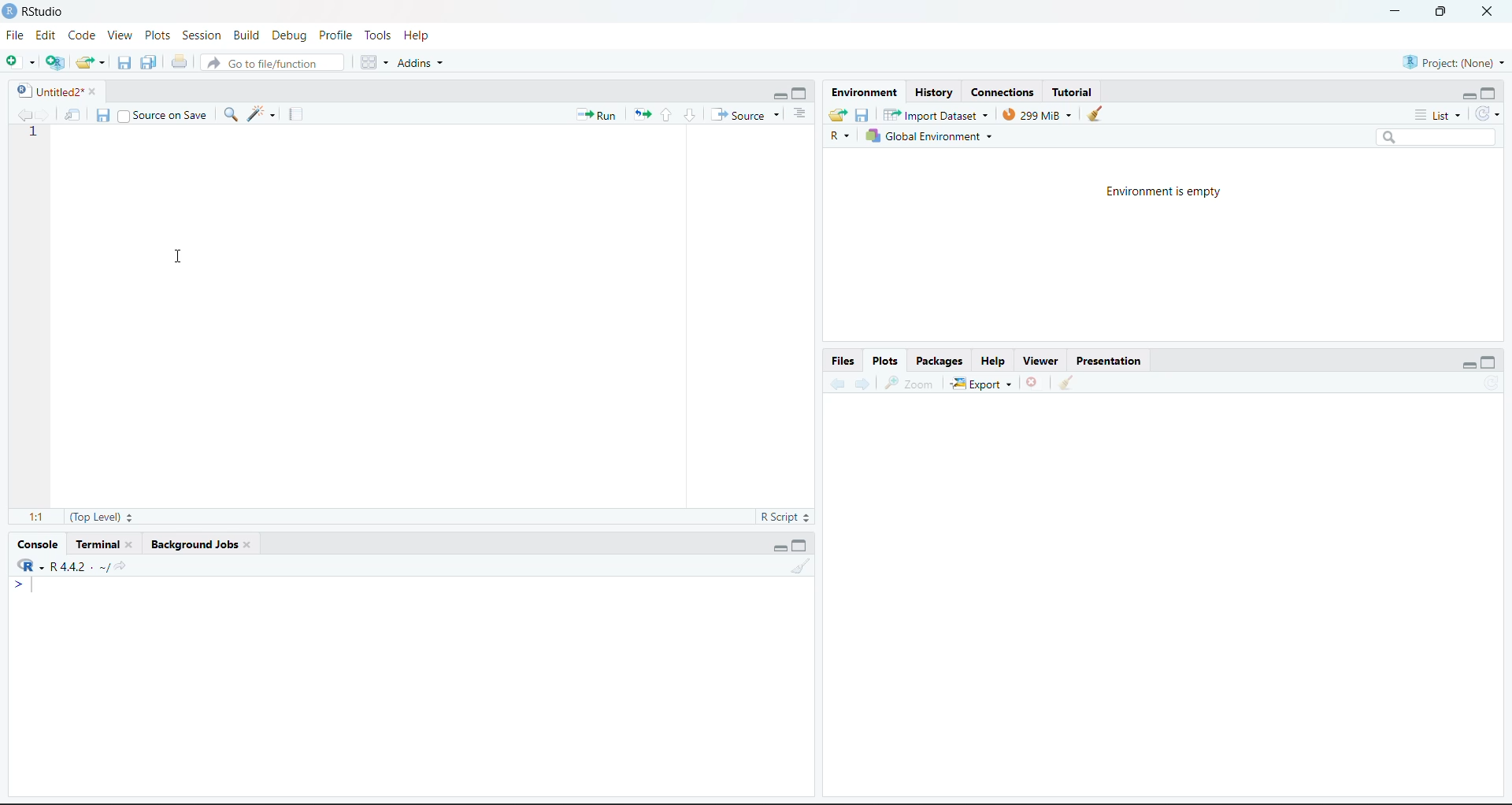 The height and width of the screenshot is (805, 1512). I want to click on minimize, so click(778, 95).